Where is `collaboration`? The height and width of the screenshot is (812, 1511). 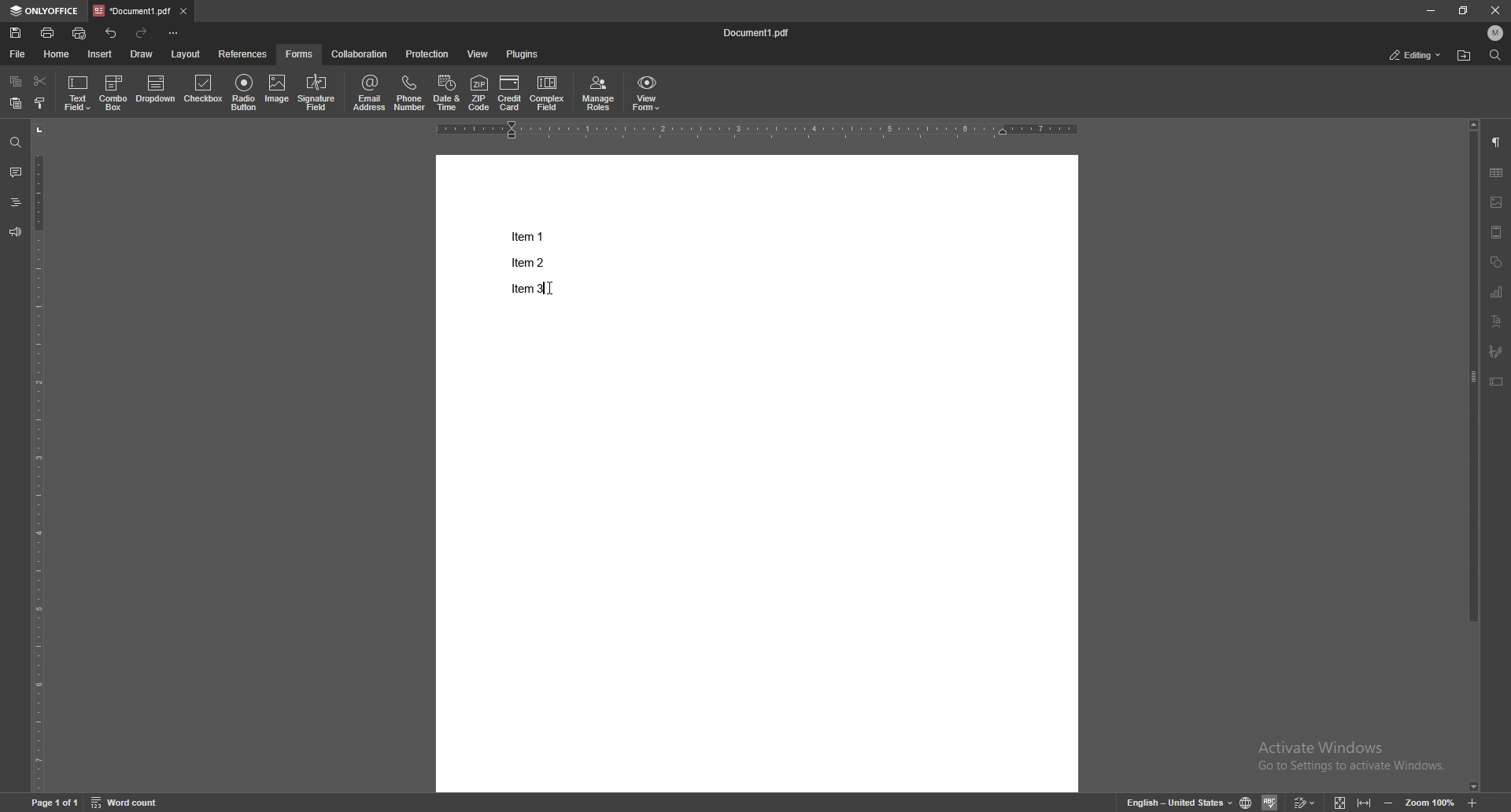
collaboration is located at coordinates (358, 54).